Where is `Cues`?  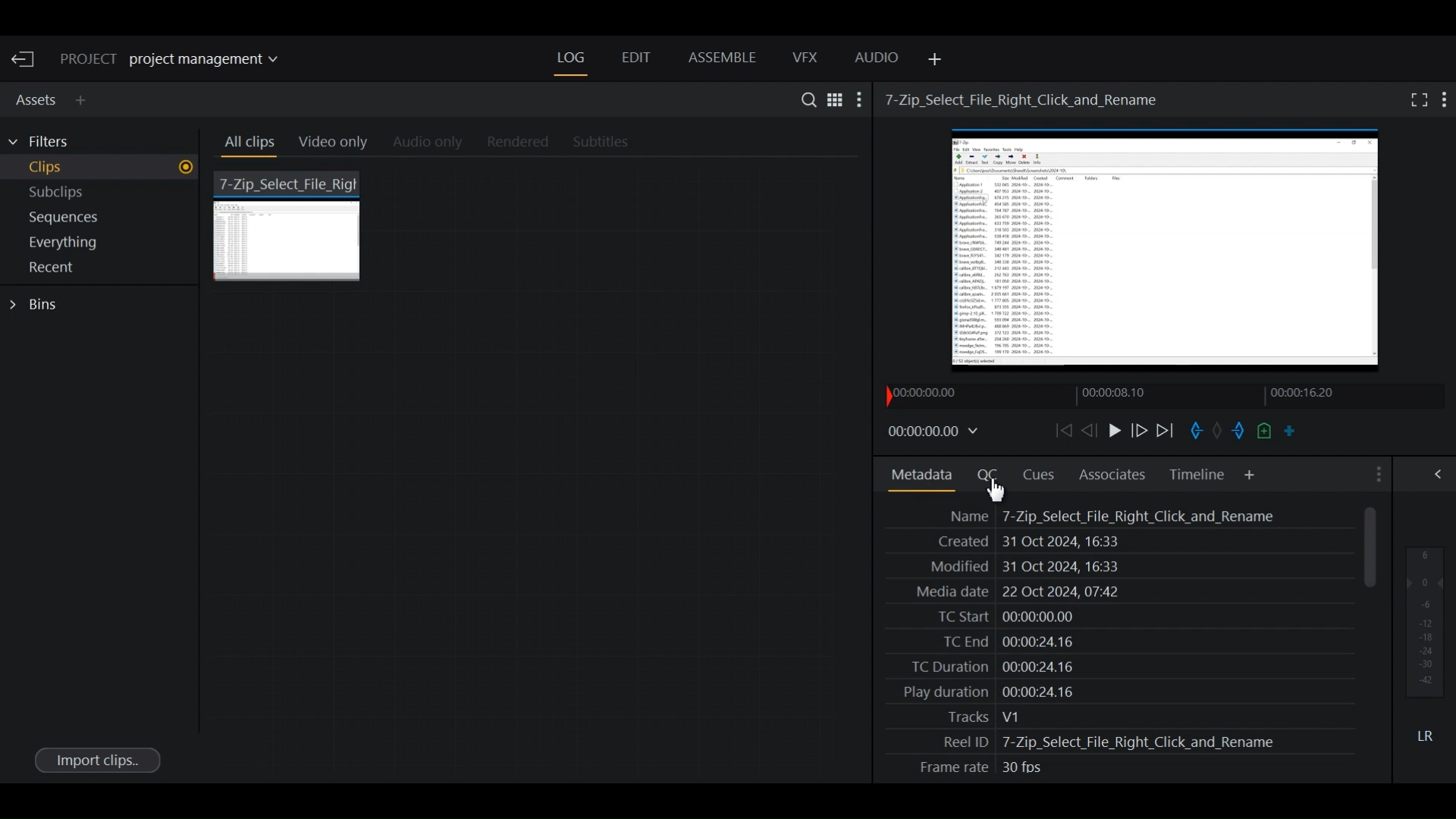 Cues is located at coordinates (1040, 475).